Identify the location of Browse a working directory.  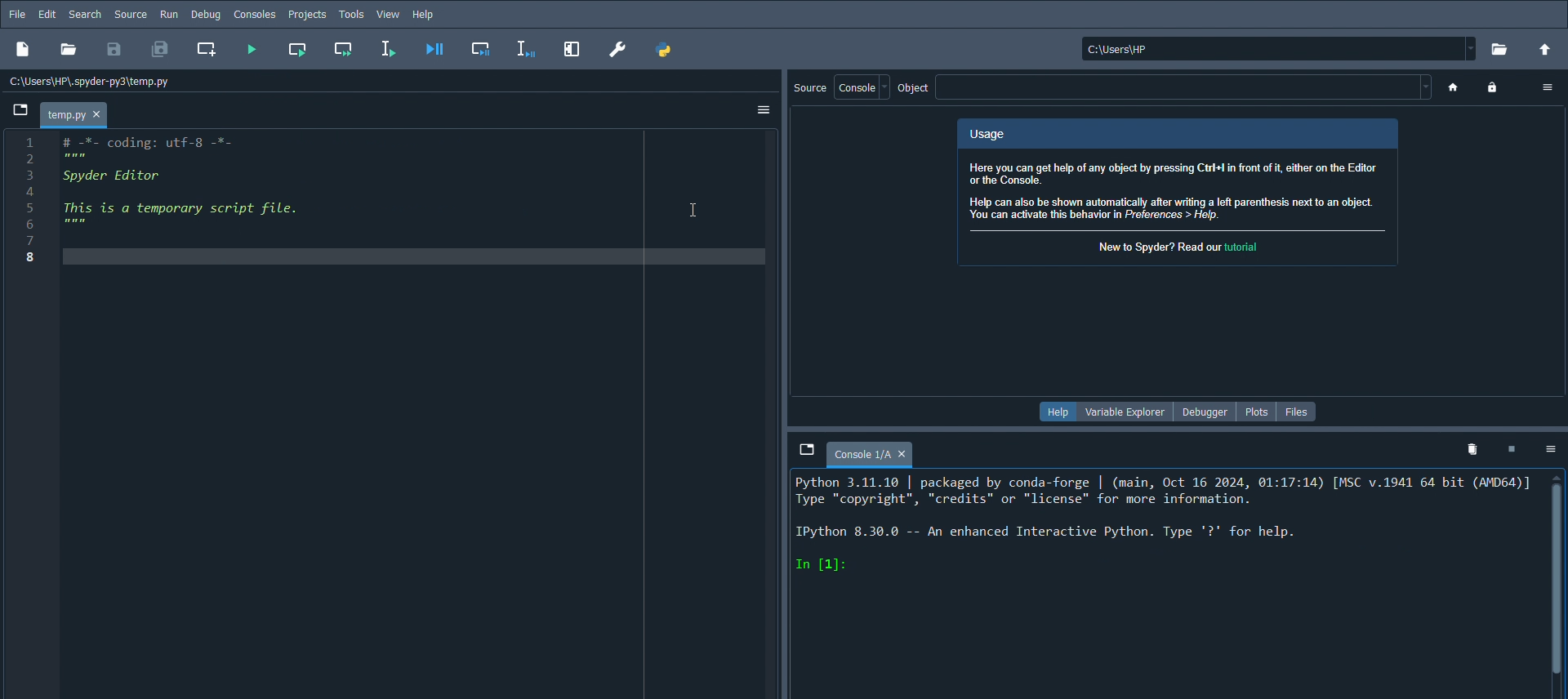
(1502, 50).